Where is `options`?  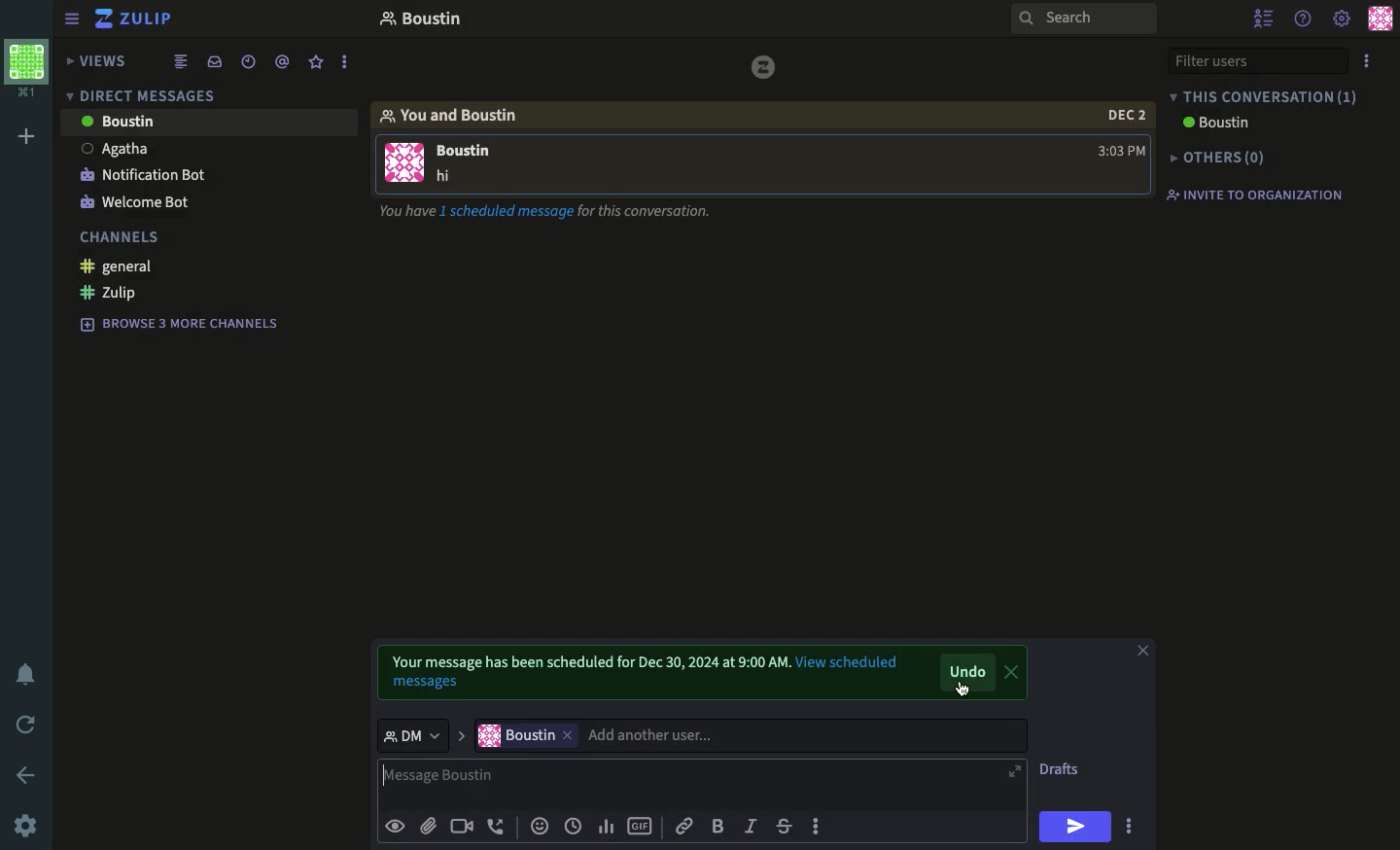 options is located at coordinates (1367, 61).